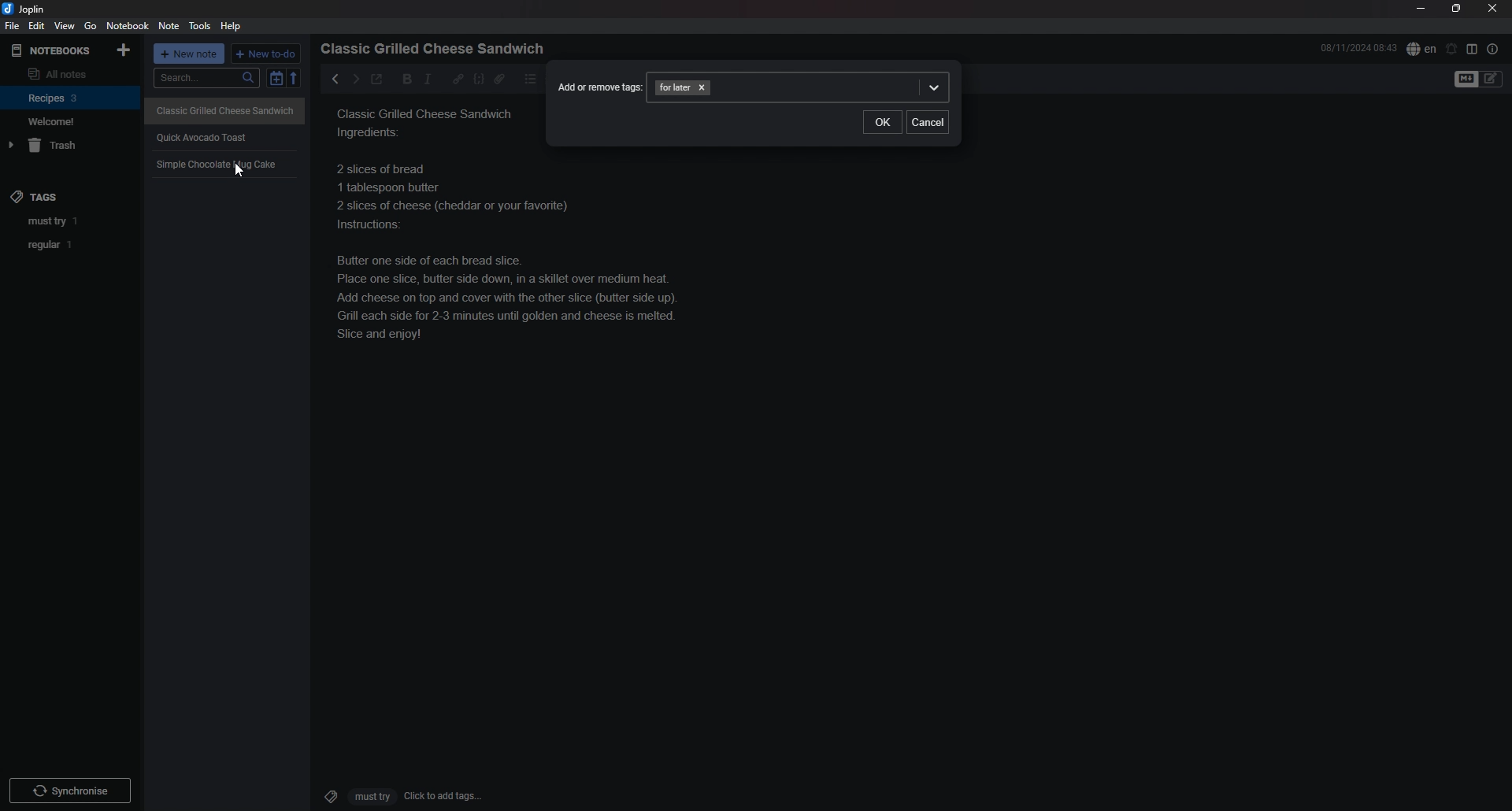  Describe the element at coordinates (519, 256) in the screenshot. I see `recipe` at that location.